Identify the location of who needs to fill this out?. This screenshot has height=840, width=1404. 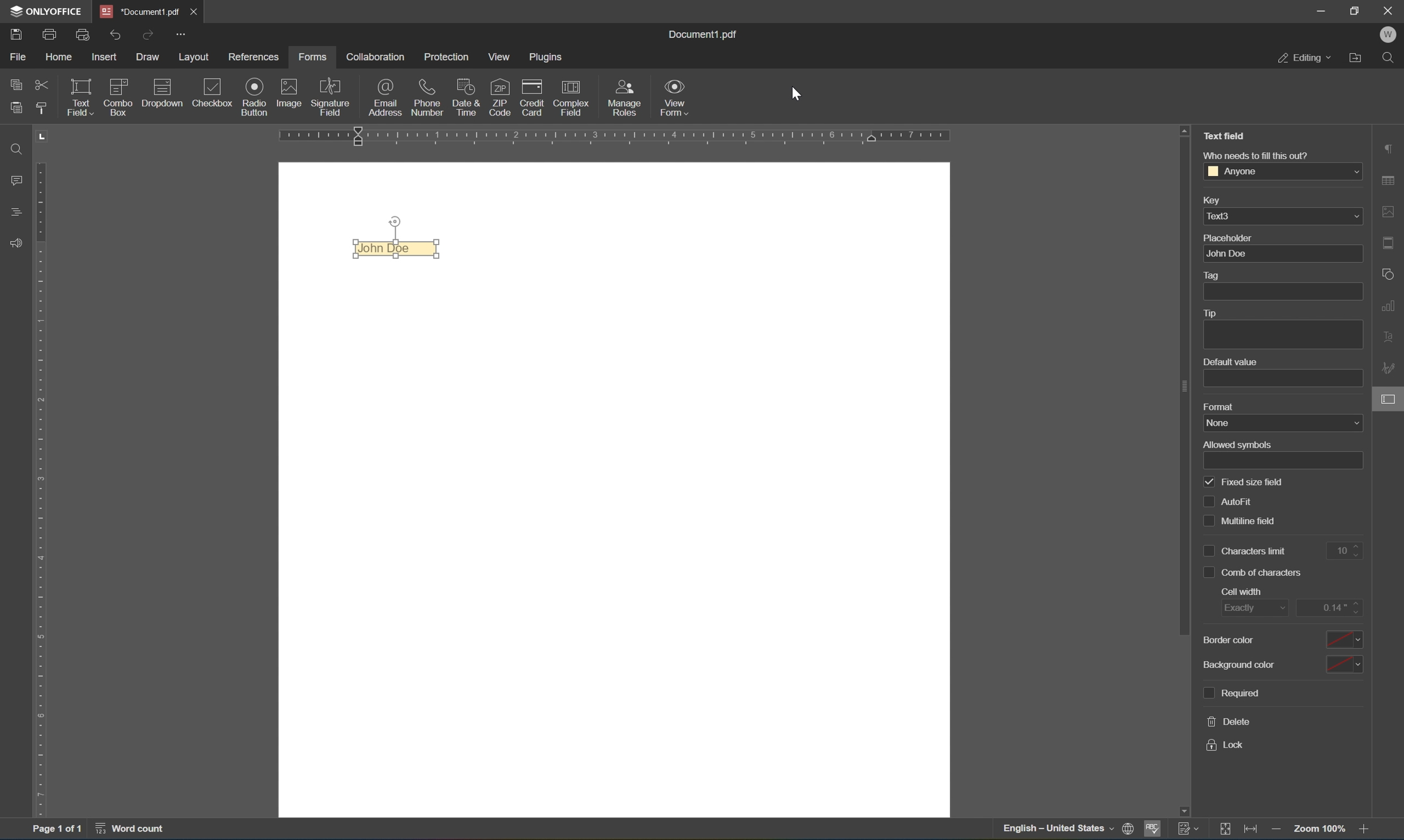
(1263, 153).